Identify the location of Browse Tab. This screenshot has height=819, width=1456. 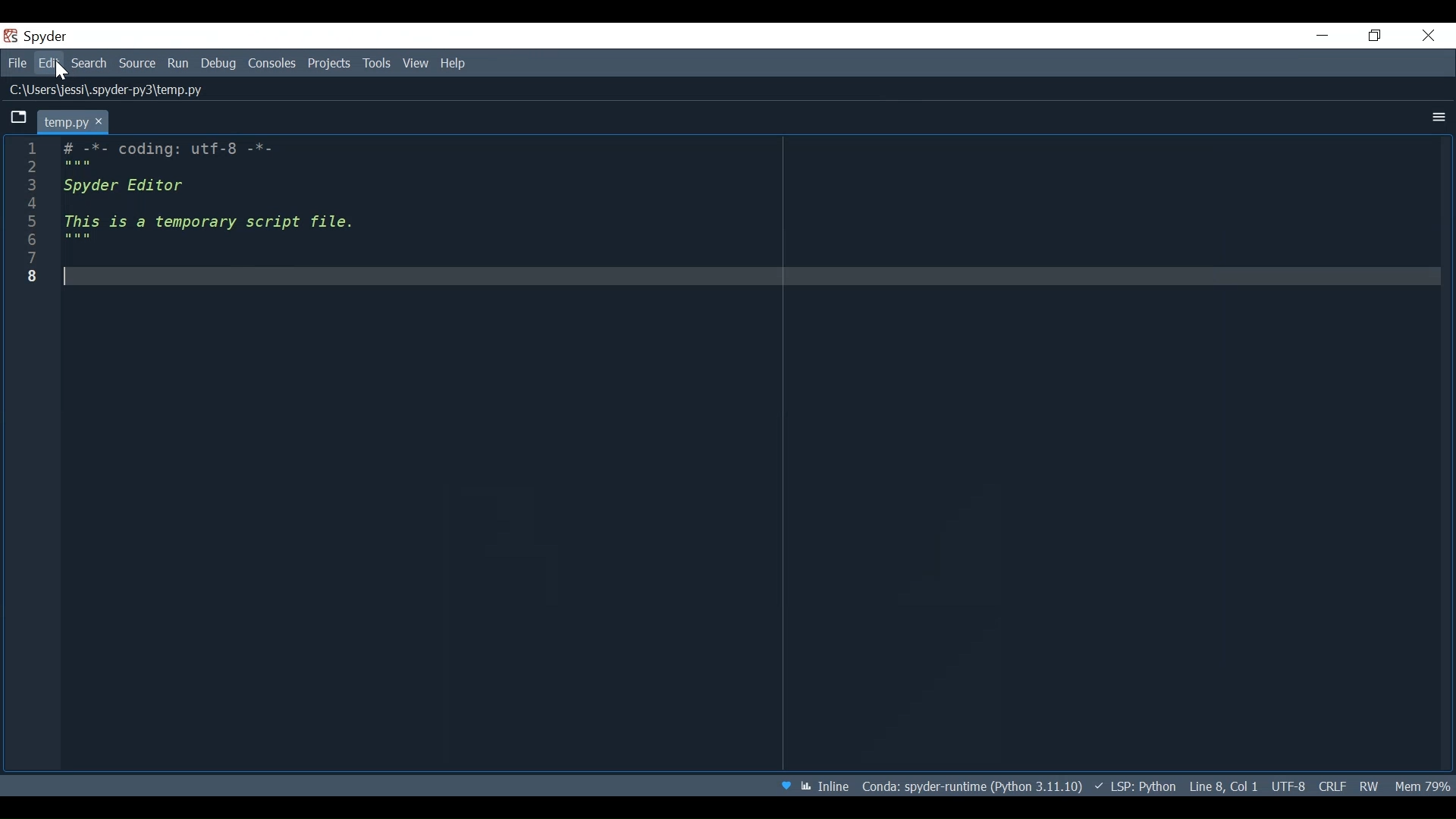
(19, 118).